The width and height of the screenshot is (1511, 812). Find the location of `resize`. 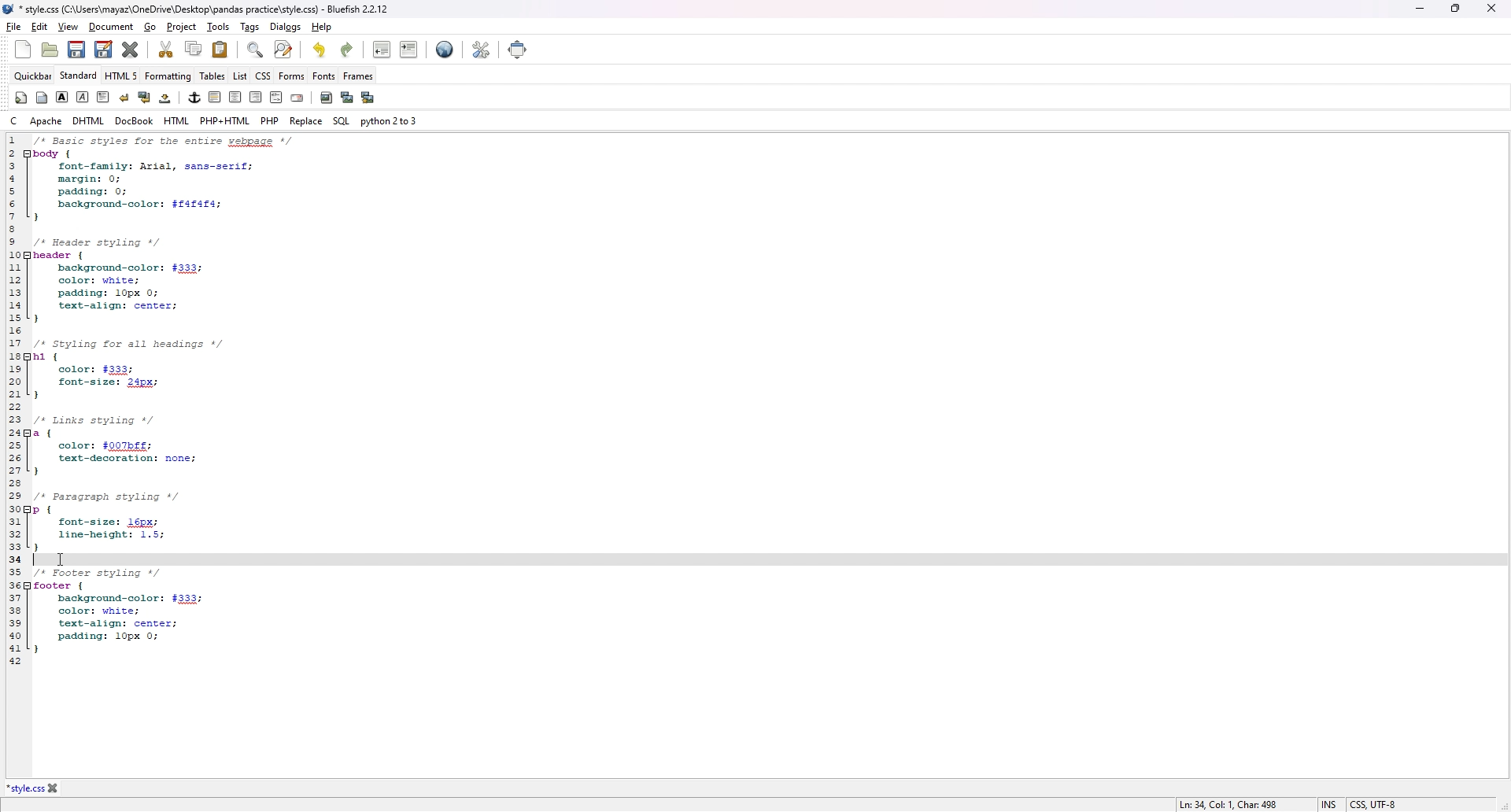

resize is located at coordinates (1454, 9).